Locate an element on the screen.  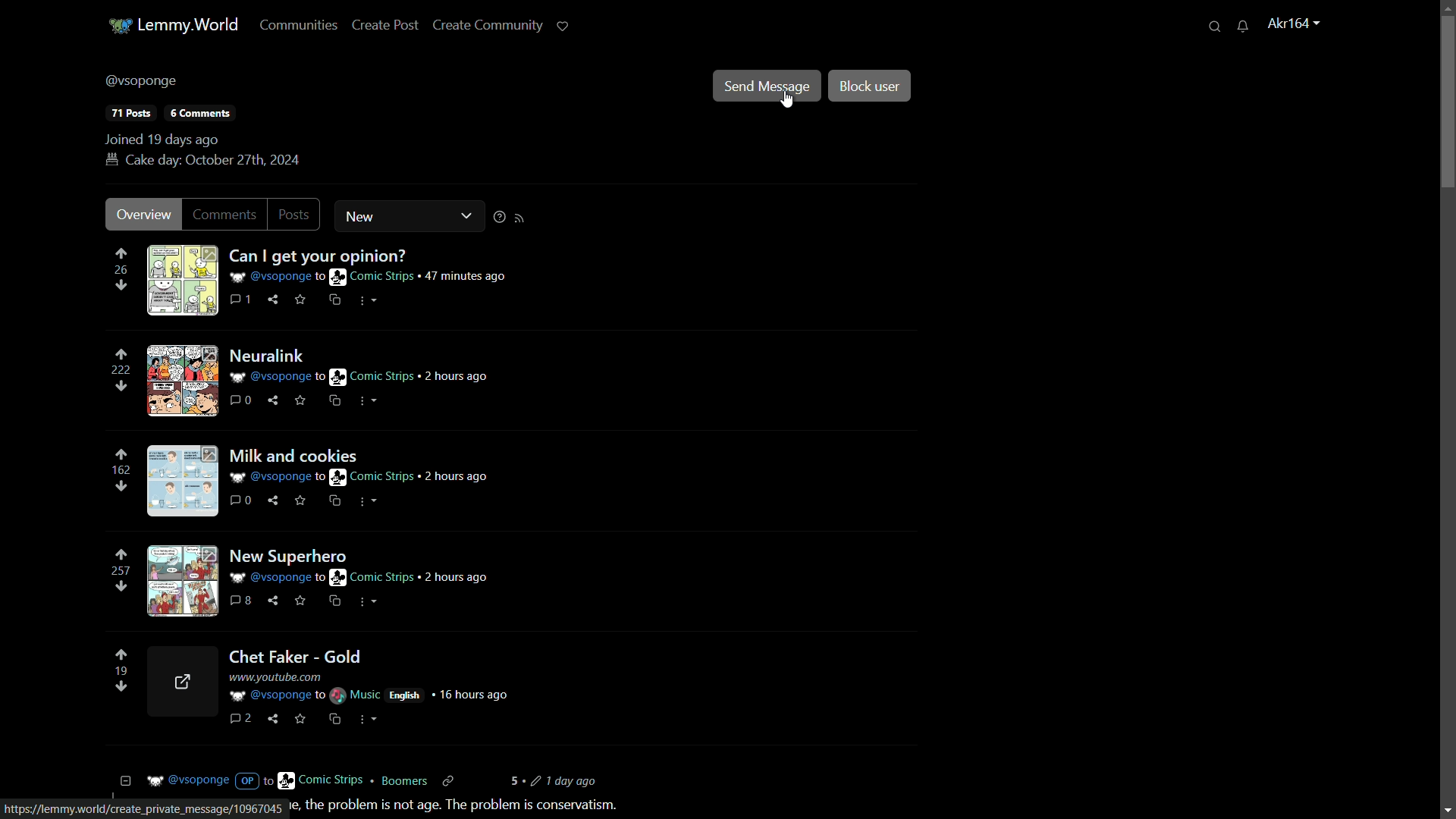
sorting help is located at coordinates (497, 218).